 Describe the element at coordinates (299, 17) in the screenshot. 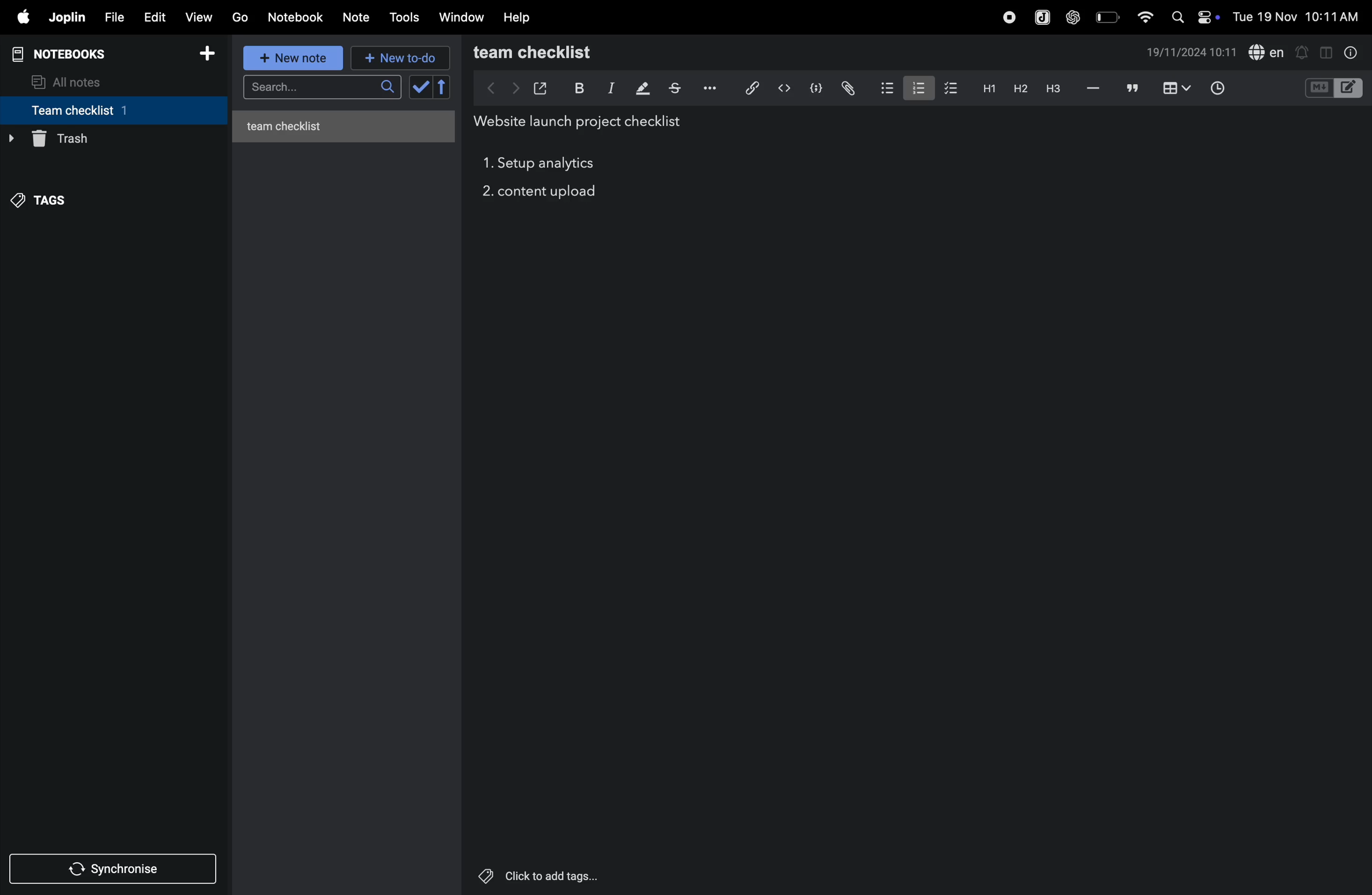

I see `Notebook` at that location.